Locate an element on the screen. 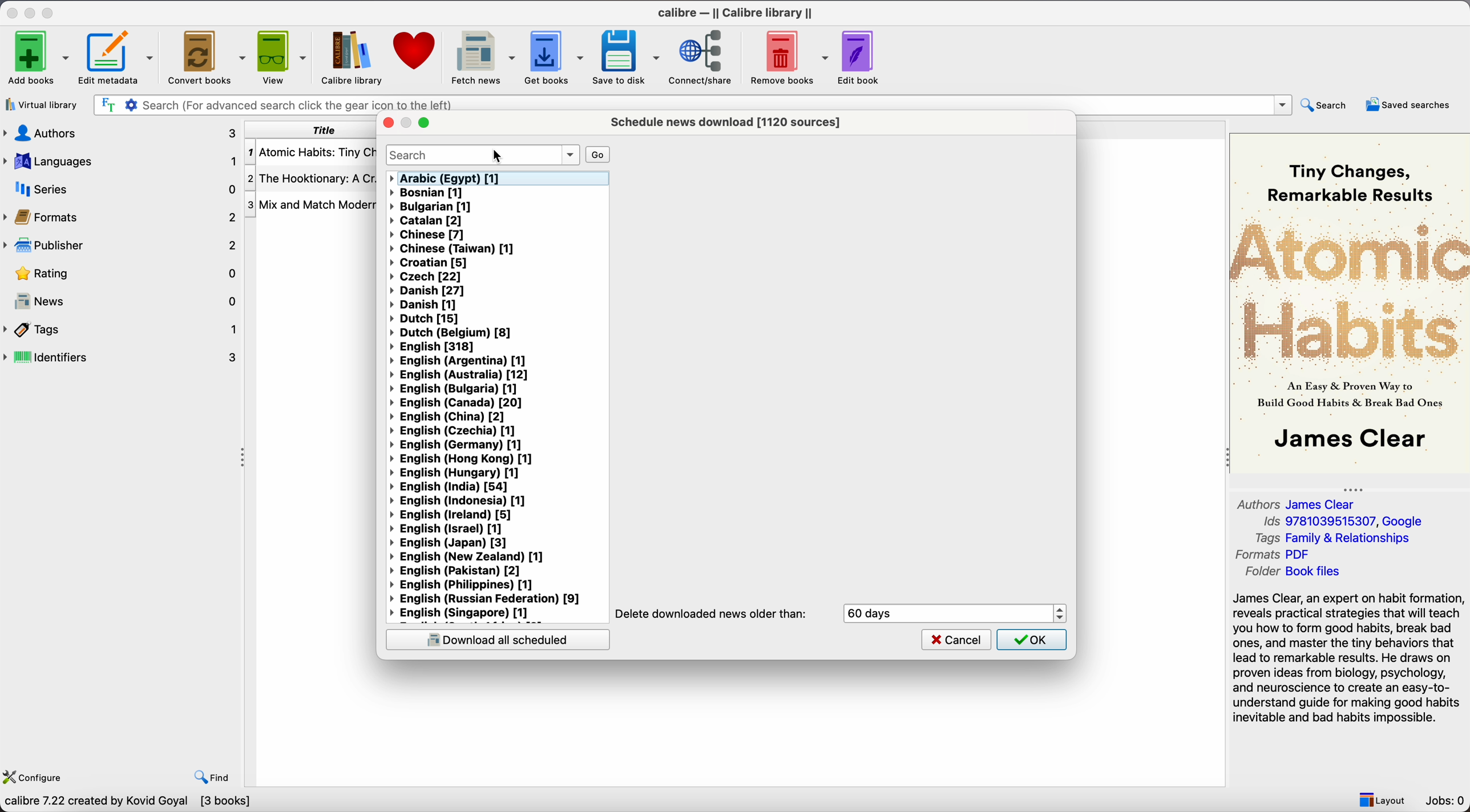 Image resolution: width=1470 pixels, height=812 pixels. English (Singapore) [1] is located at coordinates (463, 613).